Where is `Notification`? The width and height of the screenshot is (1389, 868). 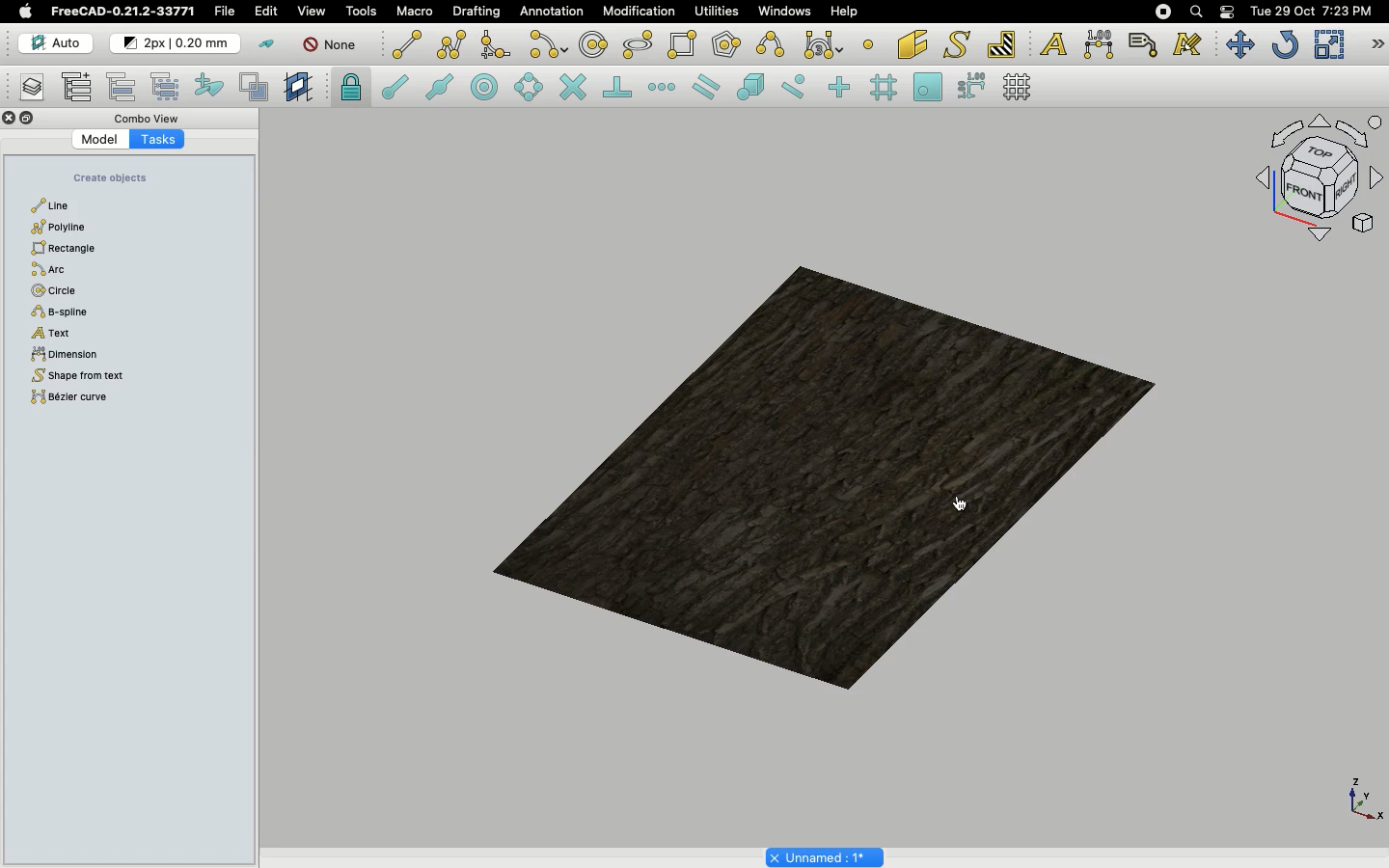 Notification is located at coordinates (1228, 11).